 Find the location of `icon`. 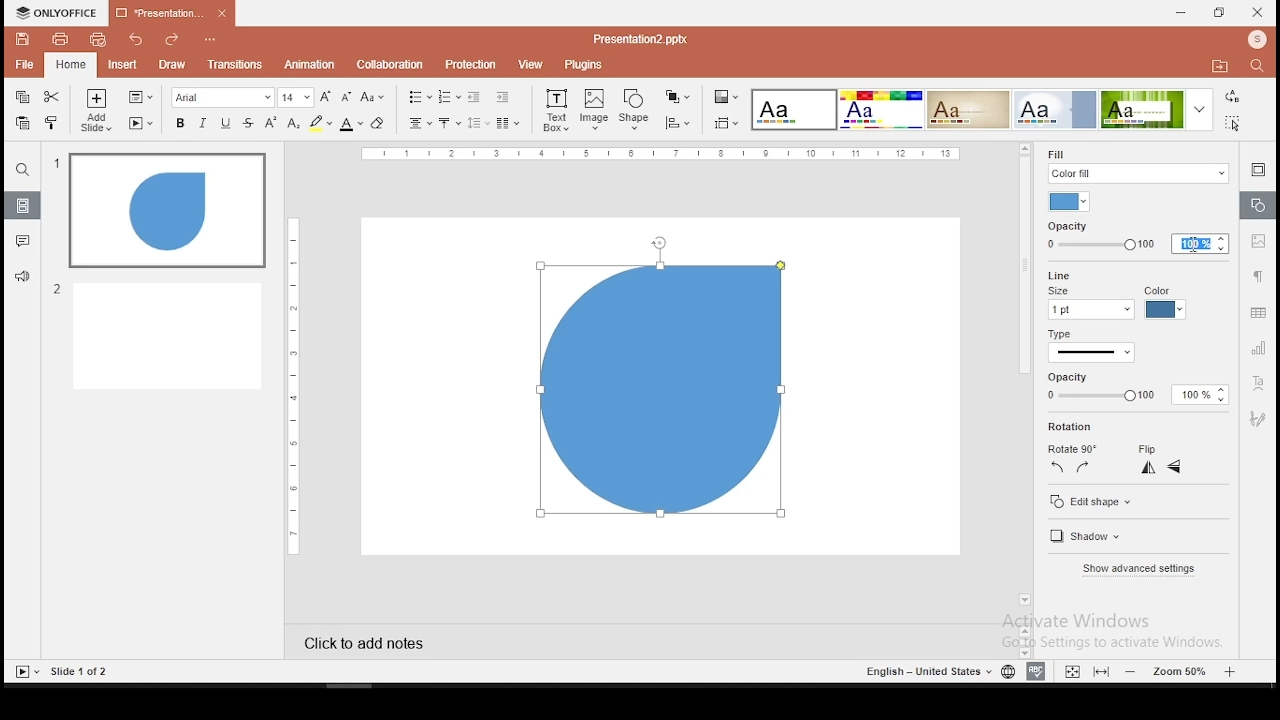

icon is located at coordinates (60, 12).